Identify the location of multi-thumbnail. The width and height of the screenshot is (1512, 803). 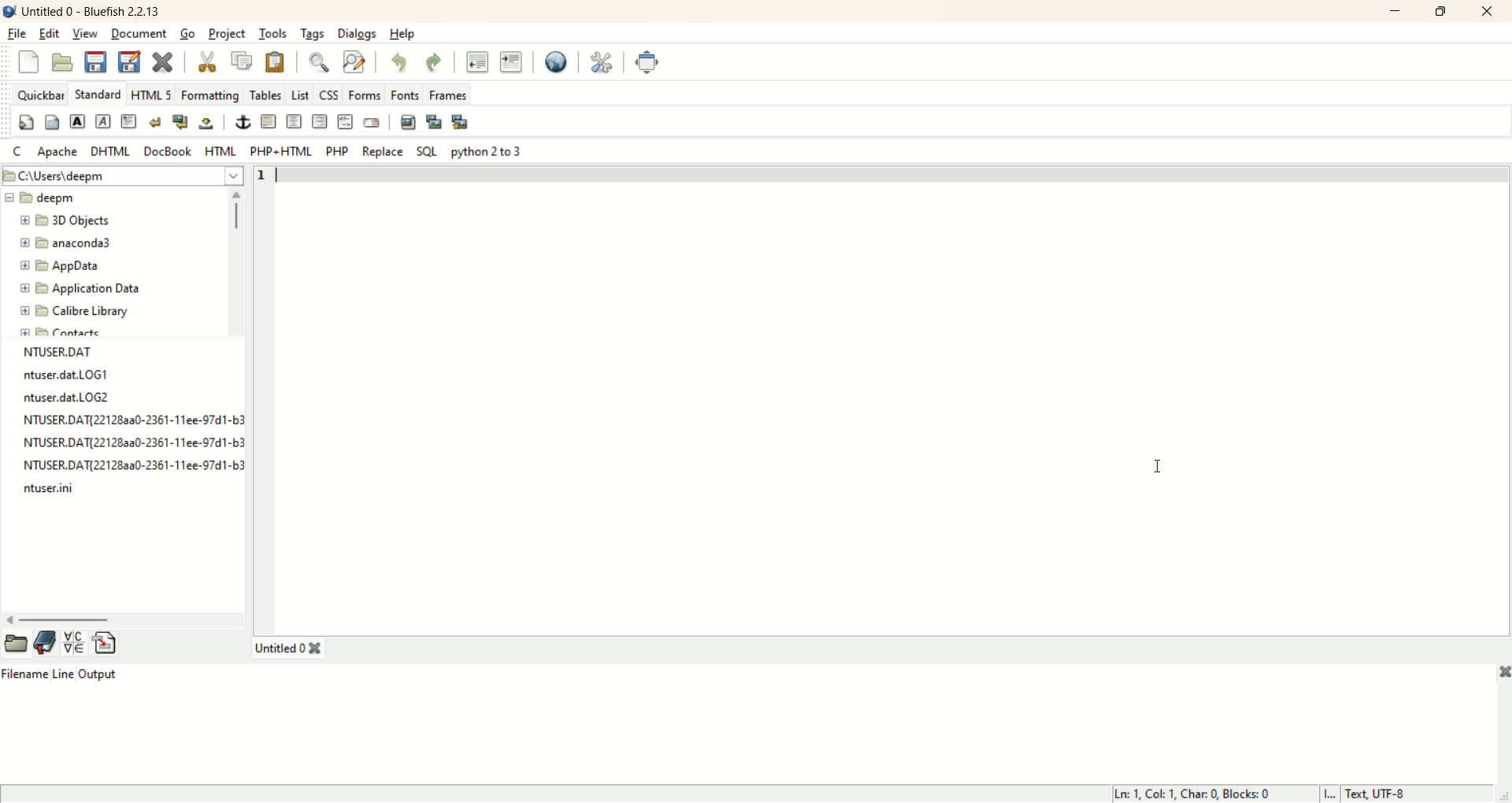
(464, 121).